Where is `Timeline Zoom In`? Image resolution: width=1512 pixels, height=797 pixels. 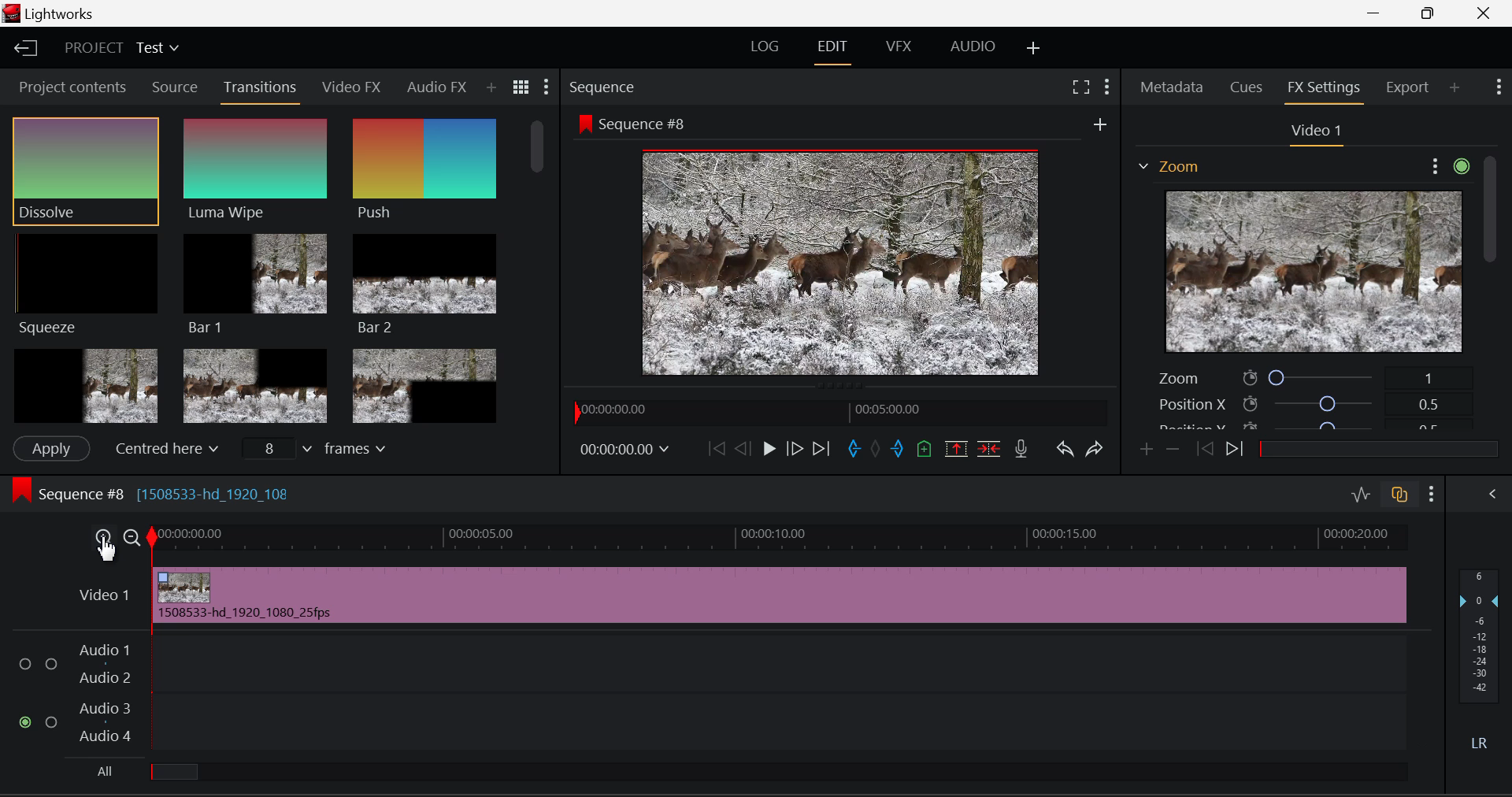 Timeline Zoom In is located at coordinates (100, 539).